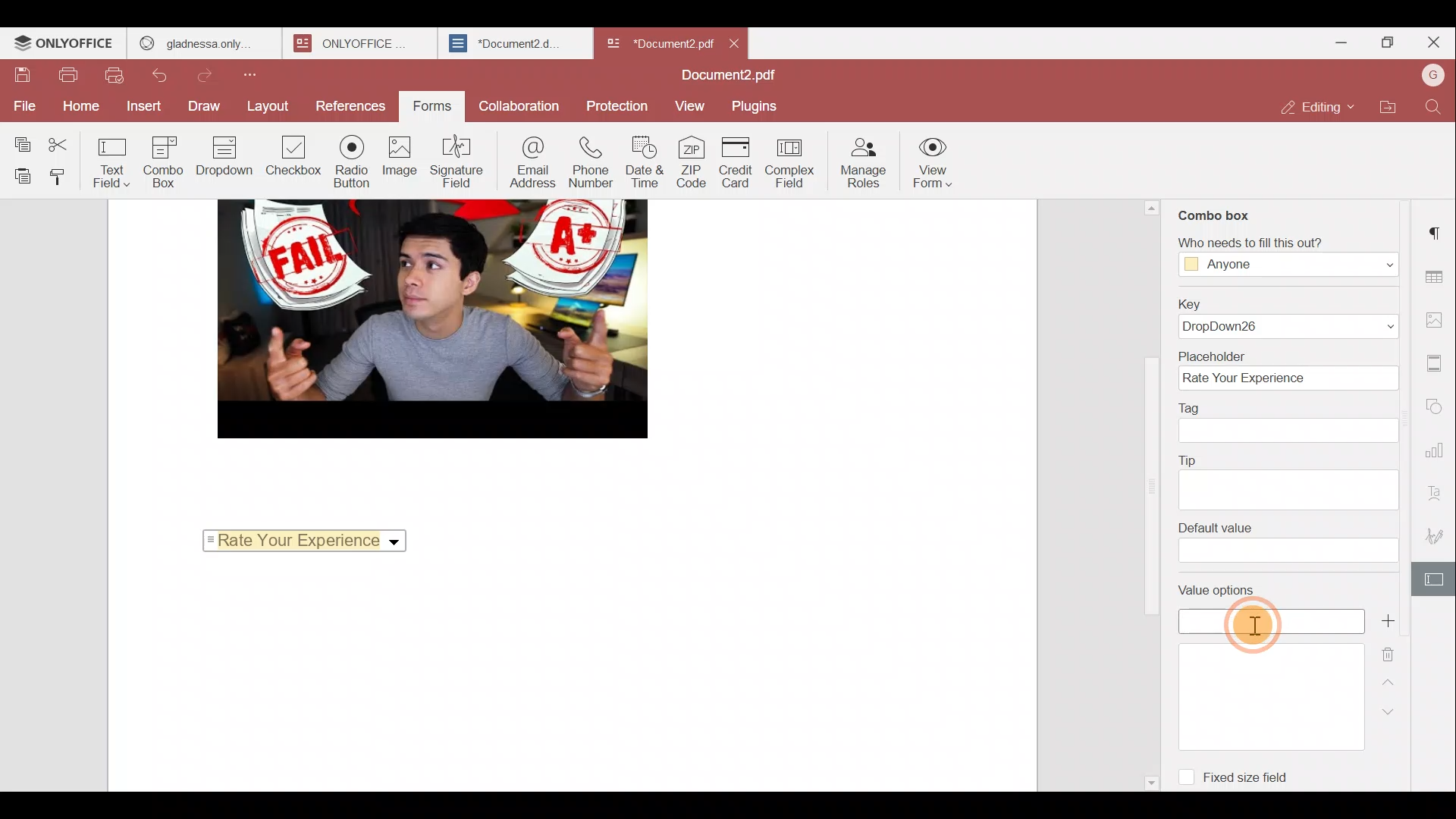 Image resolution: width=1456 pixels, height=819 pixels. I want to click on Paragraph settings, so click(1437, 229).